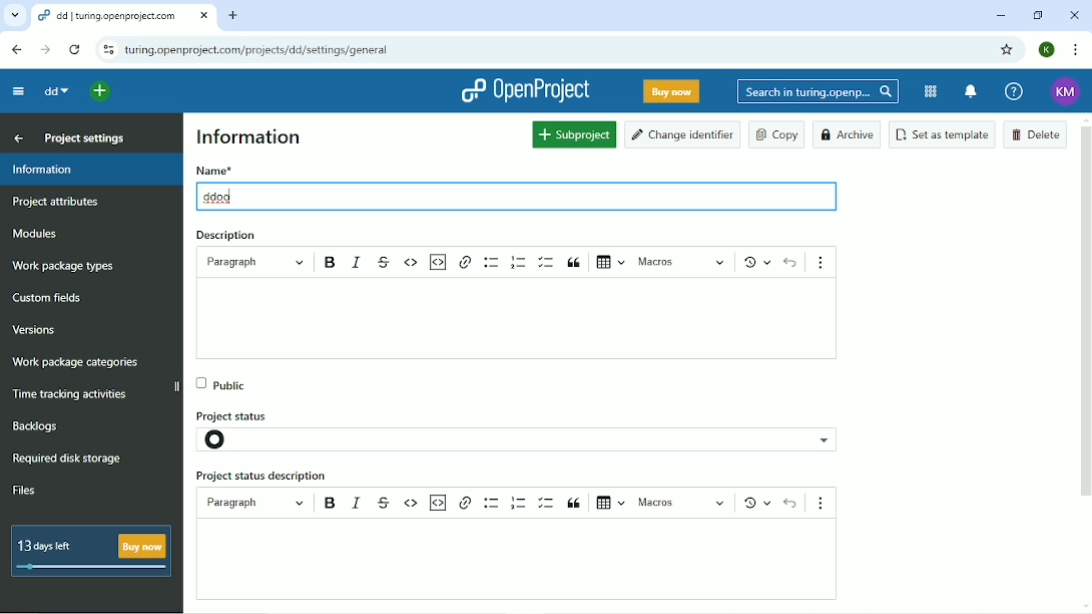 This screenshot has width=1092, height=614. I want to click on Collapse project menu, so click(19, 92).